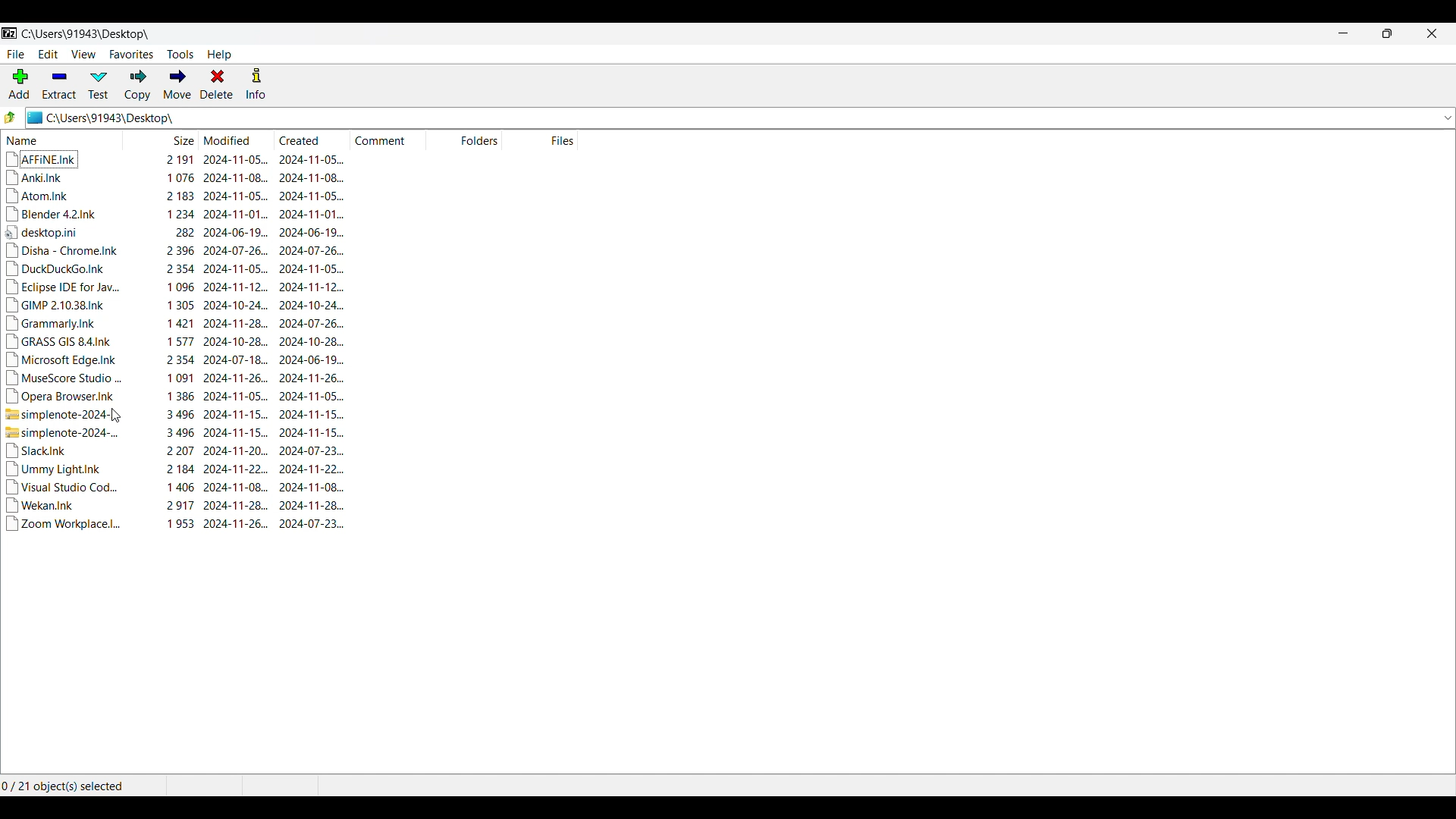 The height and width of the screenshot is (819, 1456). Describe the element at coordinates (67, 786) in the screenshot. I see `0 / 21 object(s) selected` at that location.